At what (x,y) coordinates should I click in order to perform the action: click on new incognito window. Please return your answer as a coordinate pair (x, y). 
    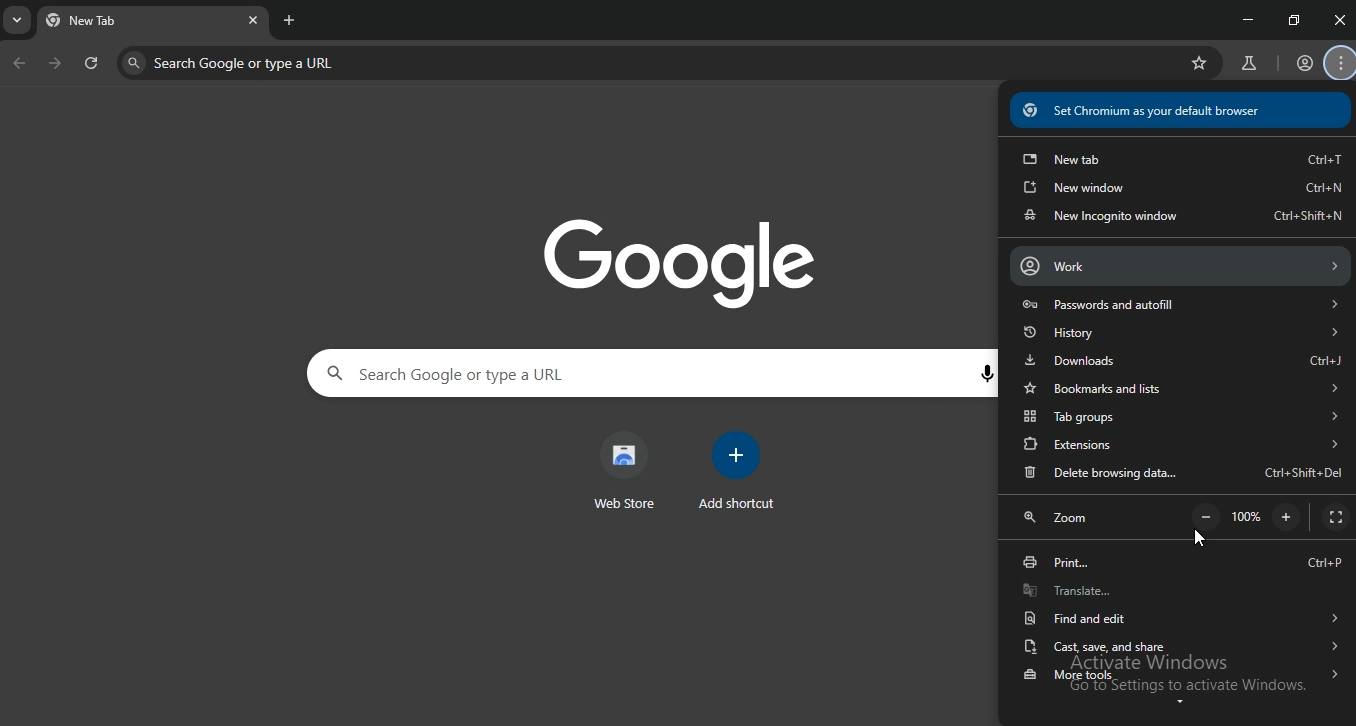
    Looking at the image, I should click on (1178, 216).